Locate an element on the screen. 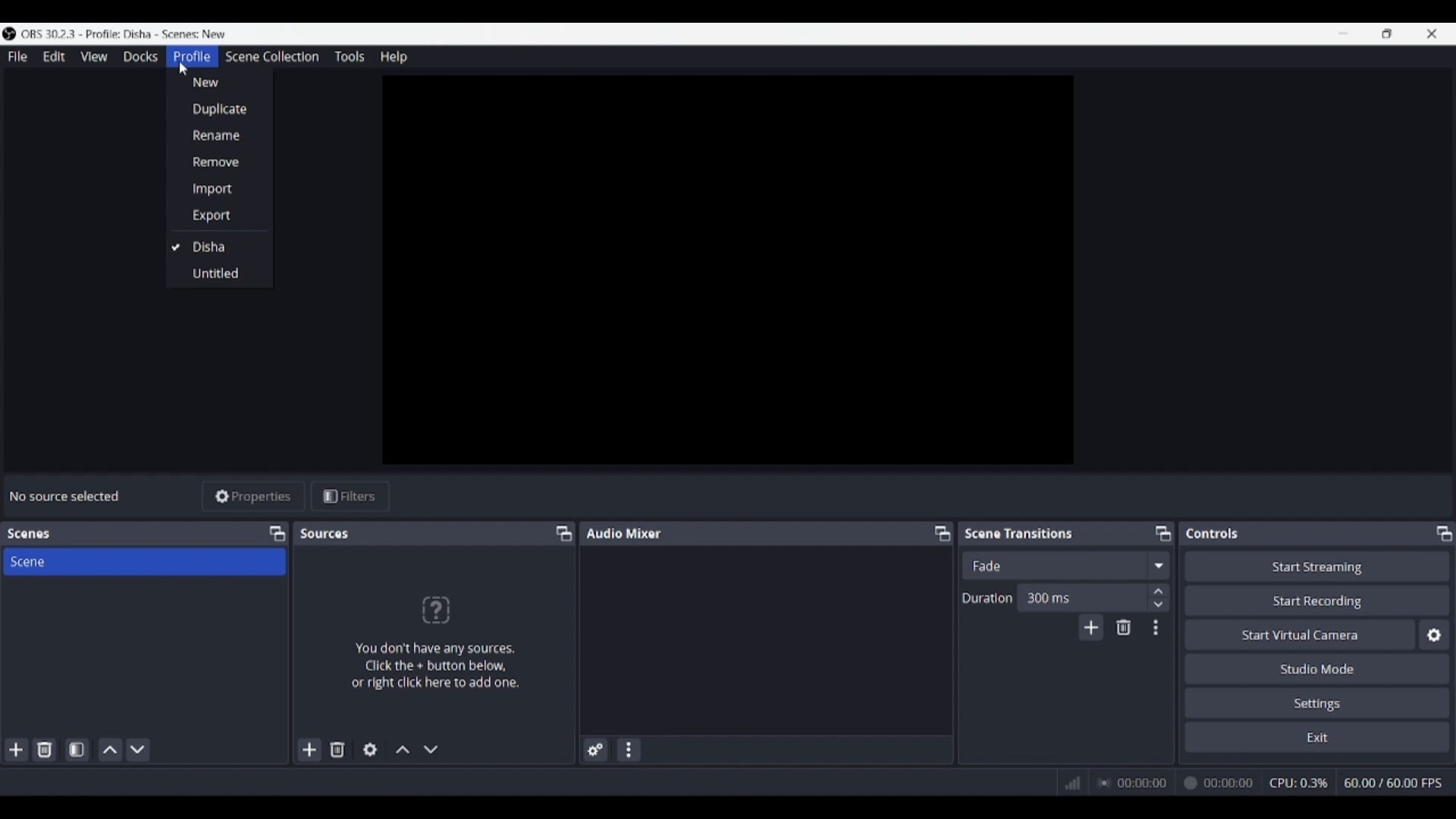  Remove selected source is located at coordinates (337, 749).